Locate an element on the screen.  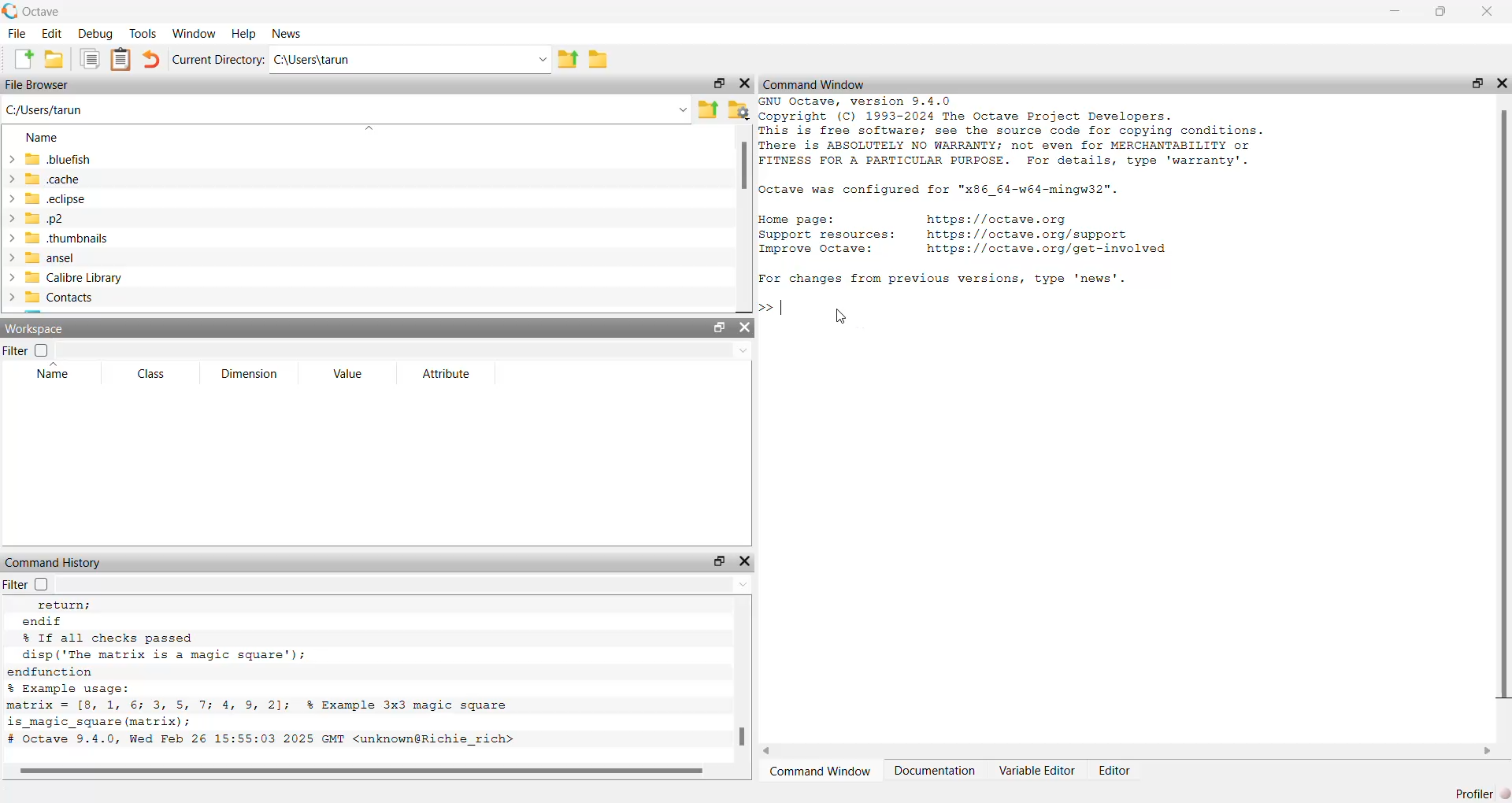
Contacts is located at coordinates (51, 298).